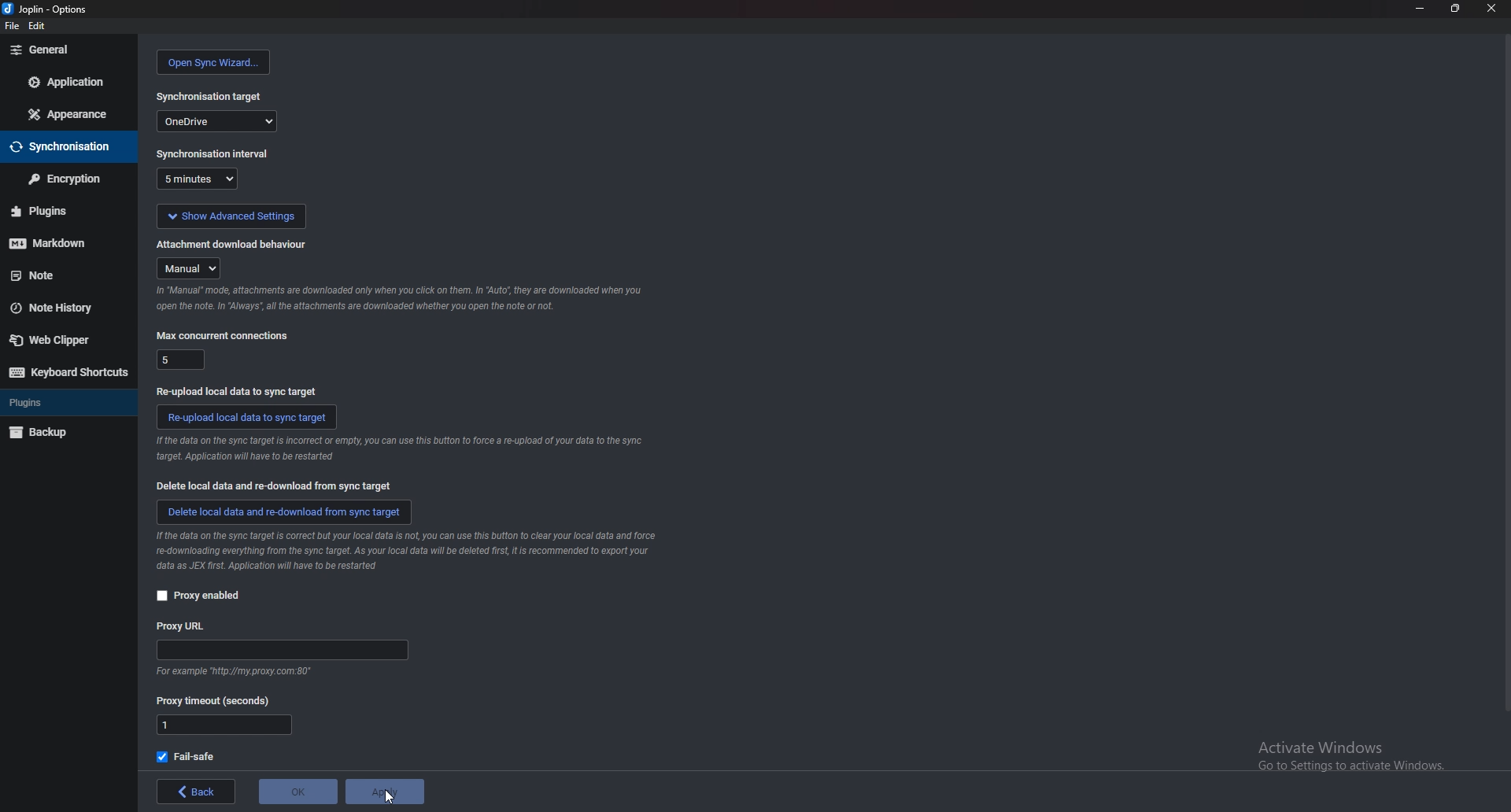 The image size is (1511, 812). Describe the element at coordinates (57, 309) in the screenshot. I see `note history` at that location.